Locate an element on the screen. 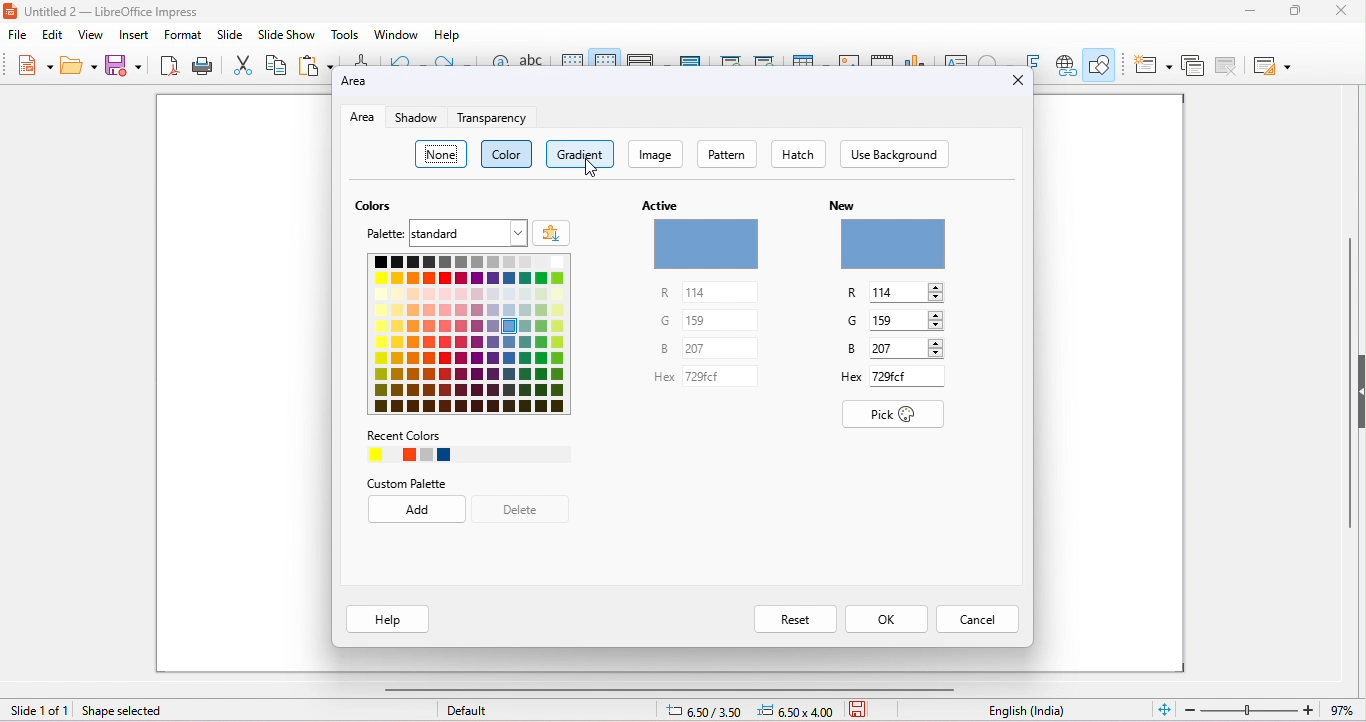  97% (zoom) is located at coordinates (1268, 710).